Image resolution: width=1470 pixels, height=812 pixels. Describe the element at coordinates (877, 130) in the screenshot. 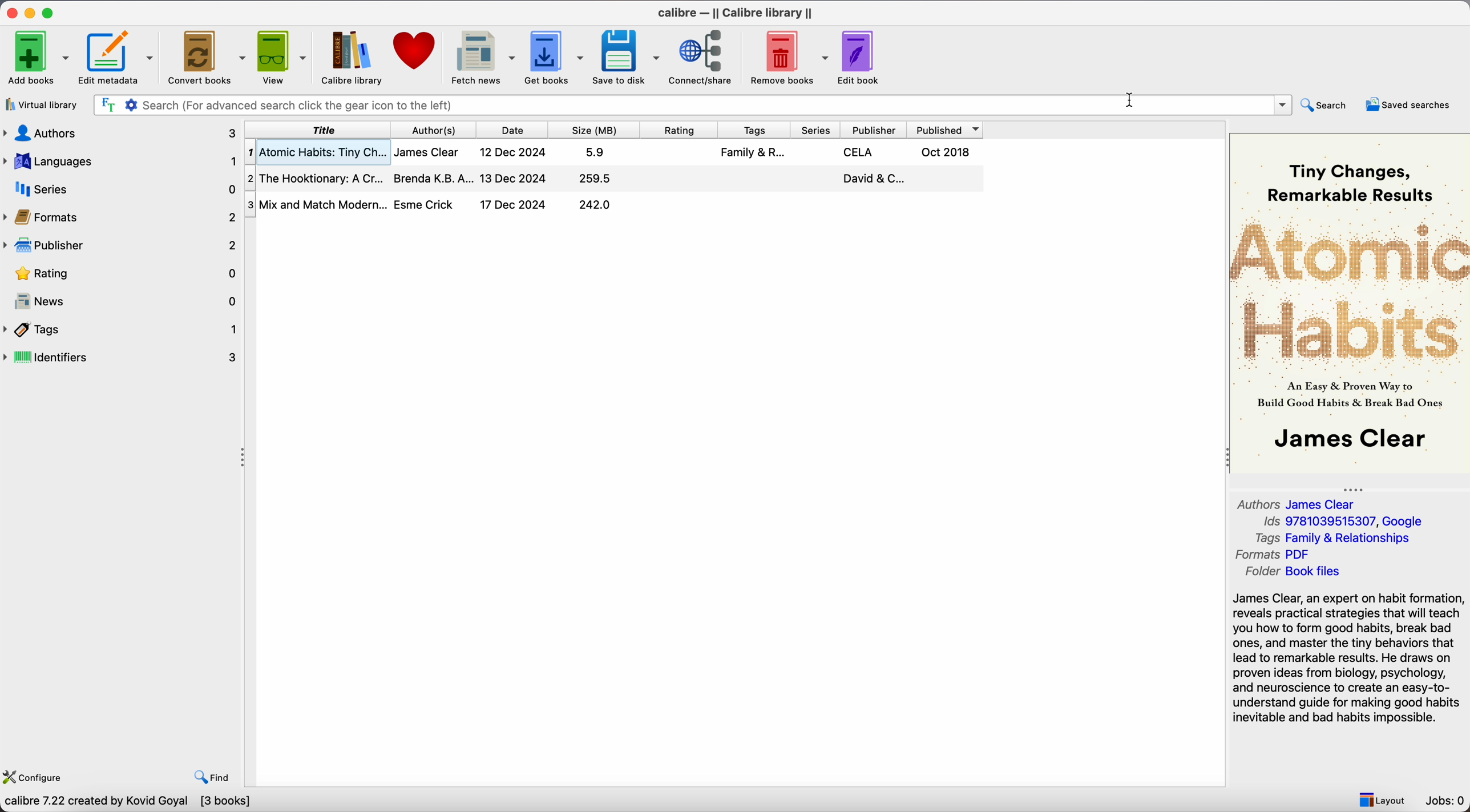

I see `publisher` at that location.